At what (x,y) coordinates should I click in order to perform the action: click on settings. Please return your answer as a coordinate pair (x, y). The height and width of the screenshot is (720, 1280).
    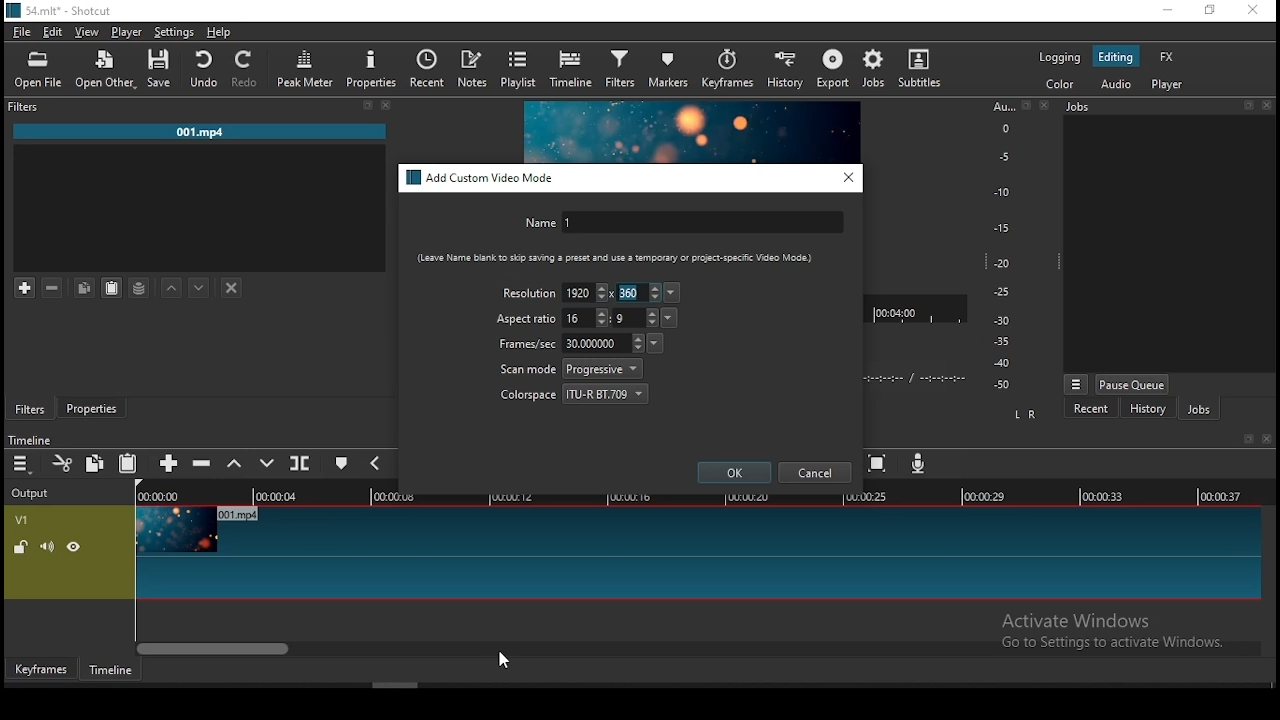
    Looking at the image, I should click on (171, 32).